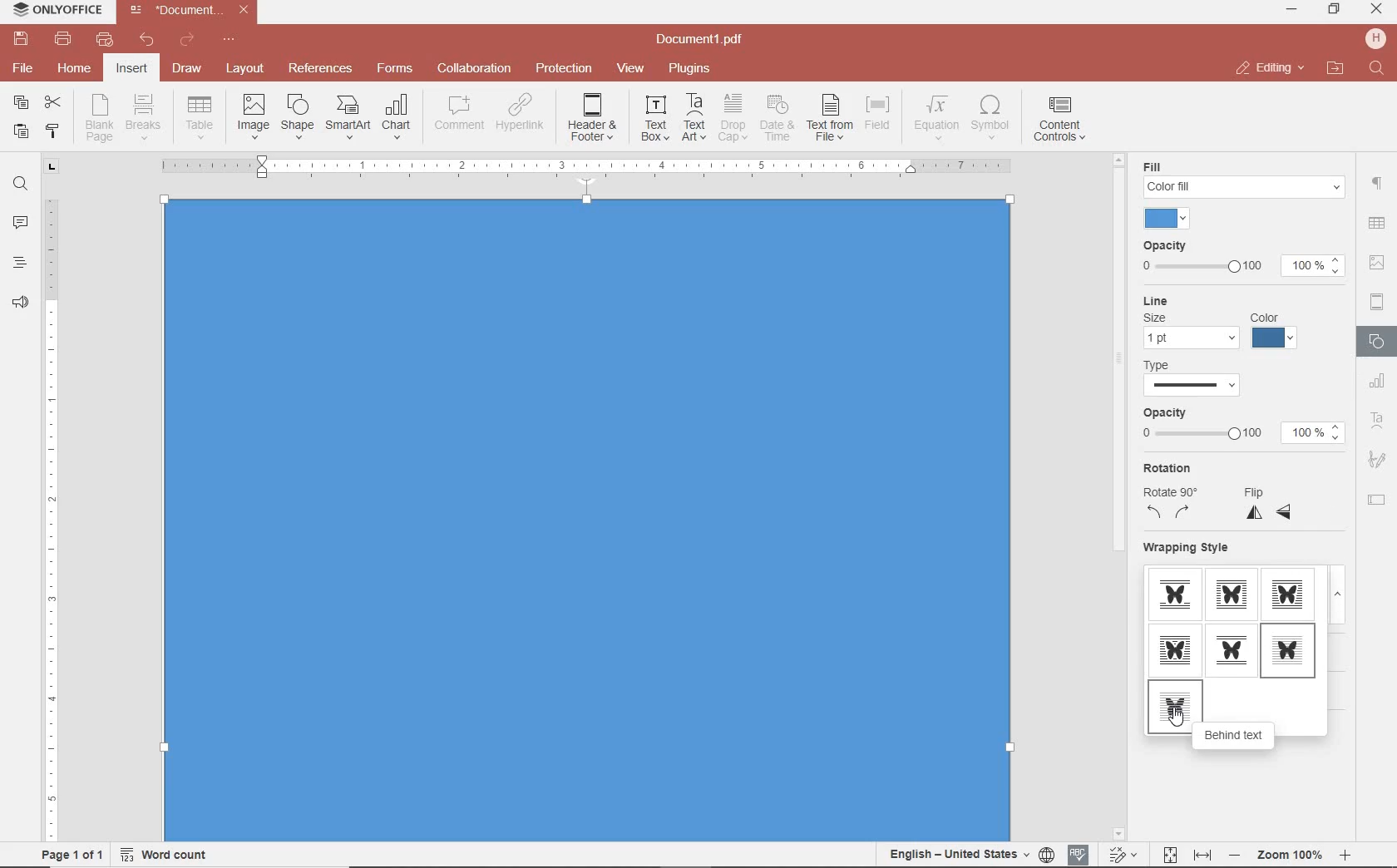  I want to click on save, so click(19, 39).